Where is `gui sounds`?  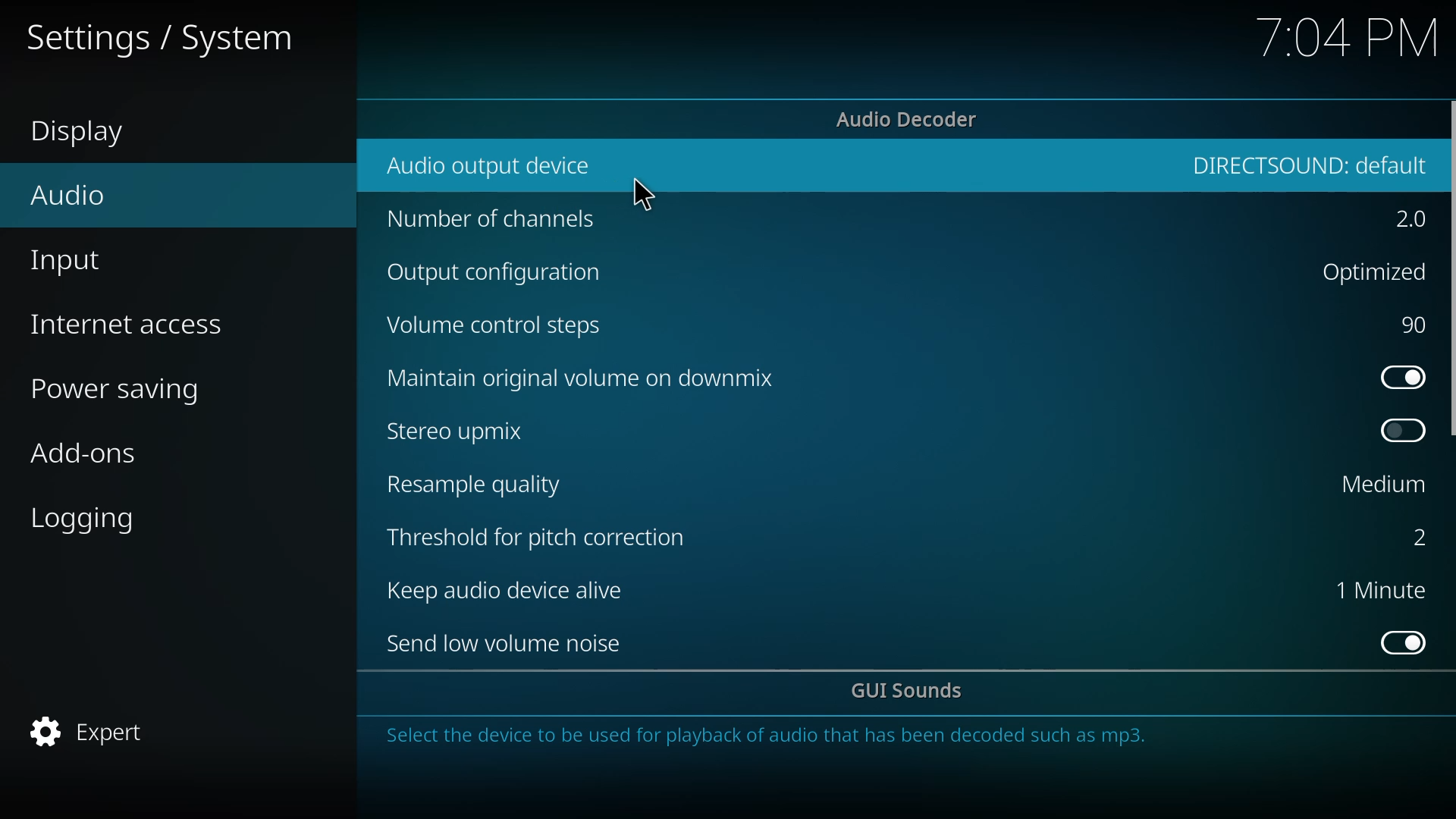
gui sounds is located at coordinates (910, 692).